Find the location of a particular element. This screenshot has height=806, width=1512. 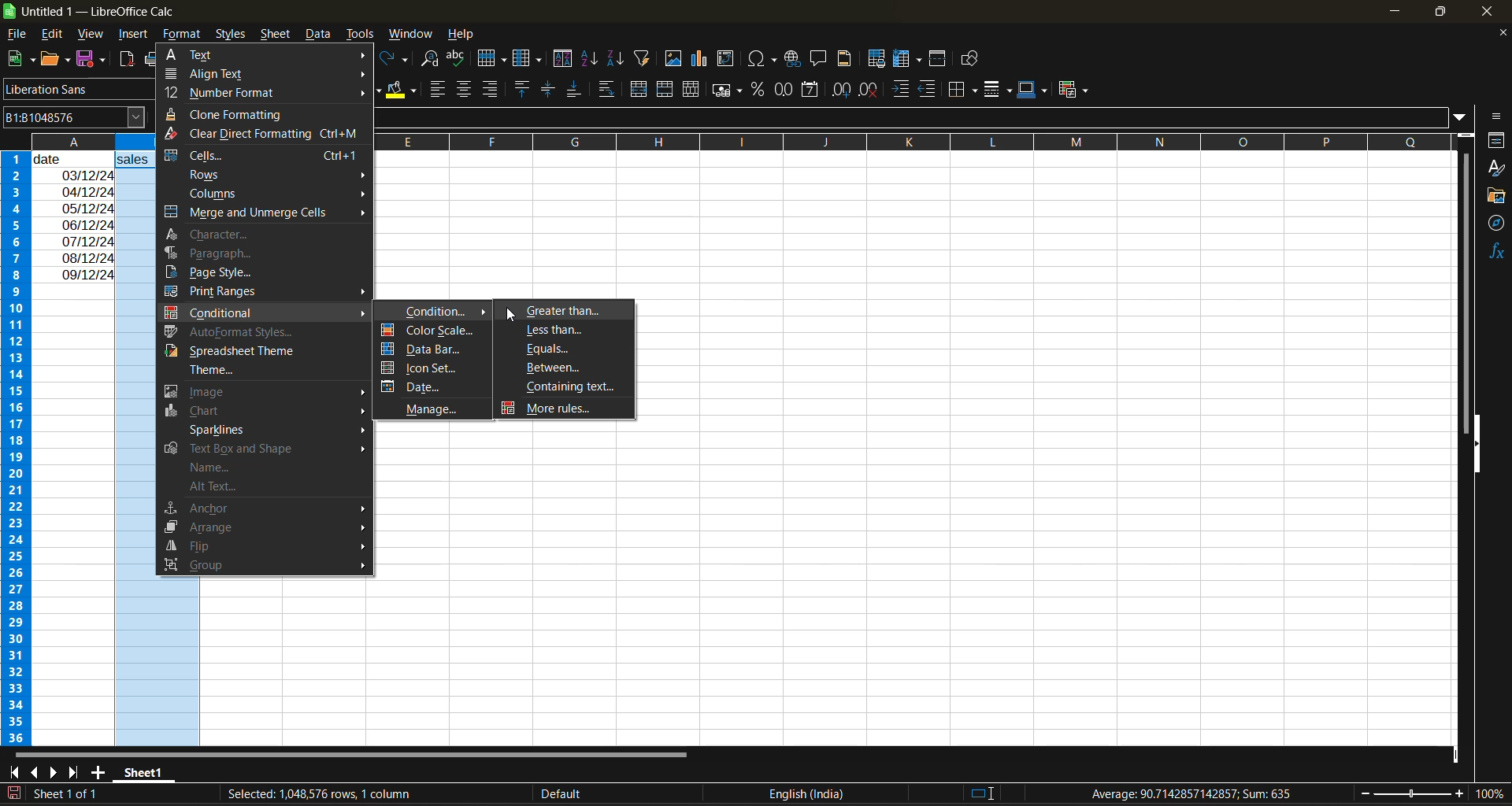

close document is located at coordinates (1499, 33).